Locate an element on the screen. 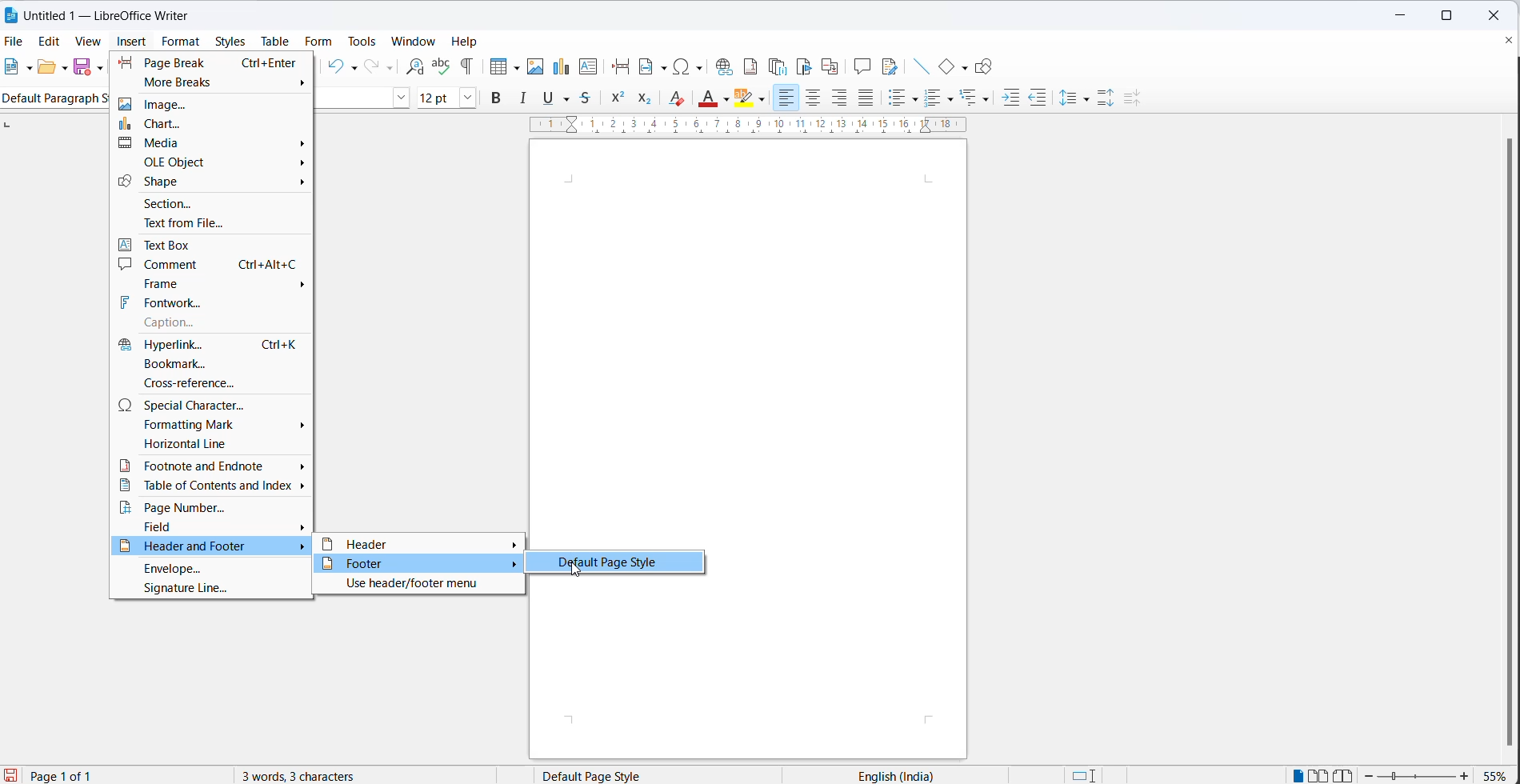  single page view is located at coordinates (1294, 775).